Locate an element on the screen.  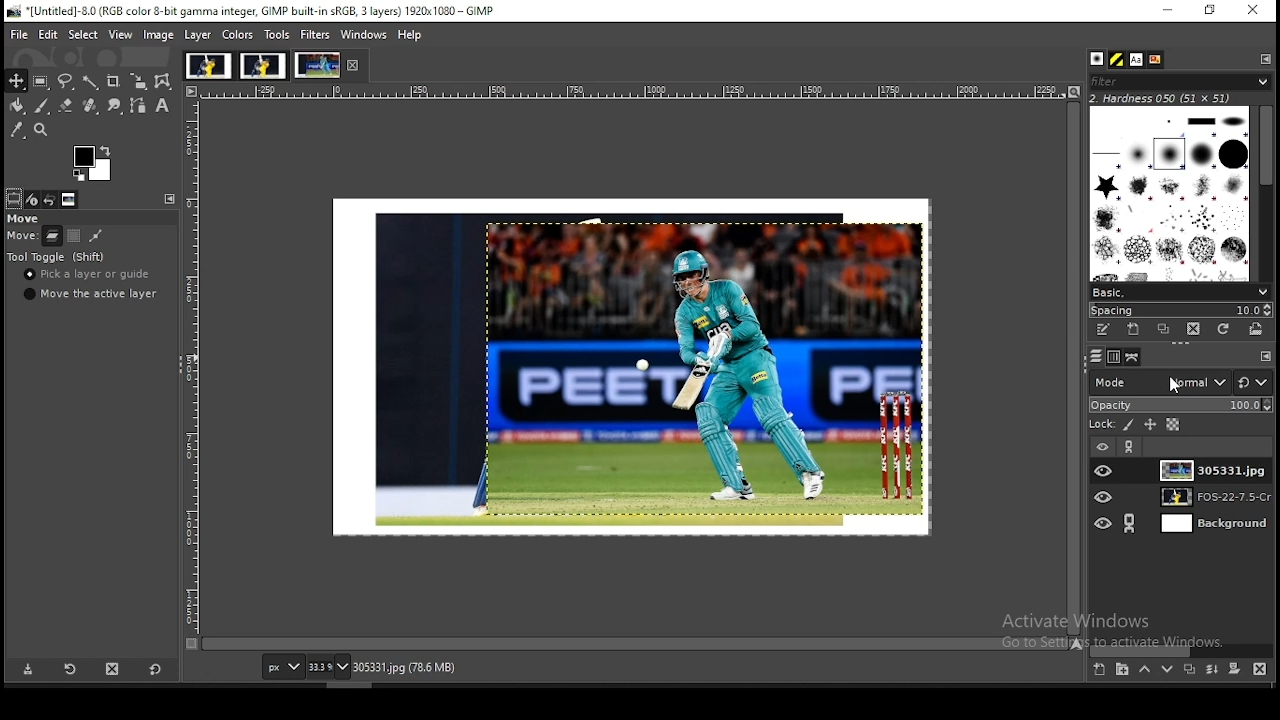
images is located at coordinates (70, 200).